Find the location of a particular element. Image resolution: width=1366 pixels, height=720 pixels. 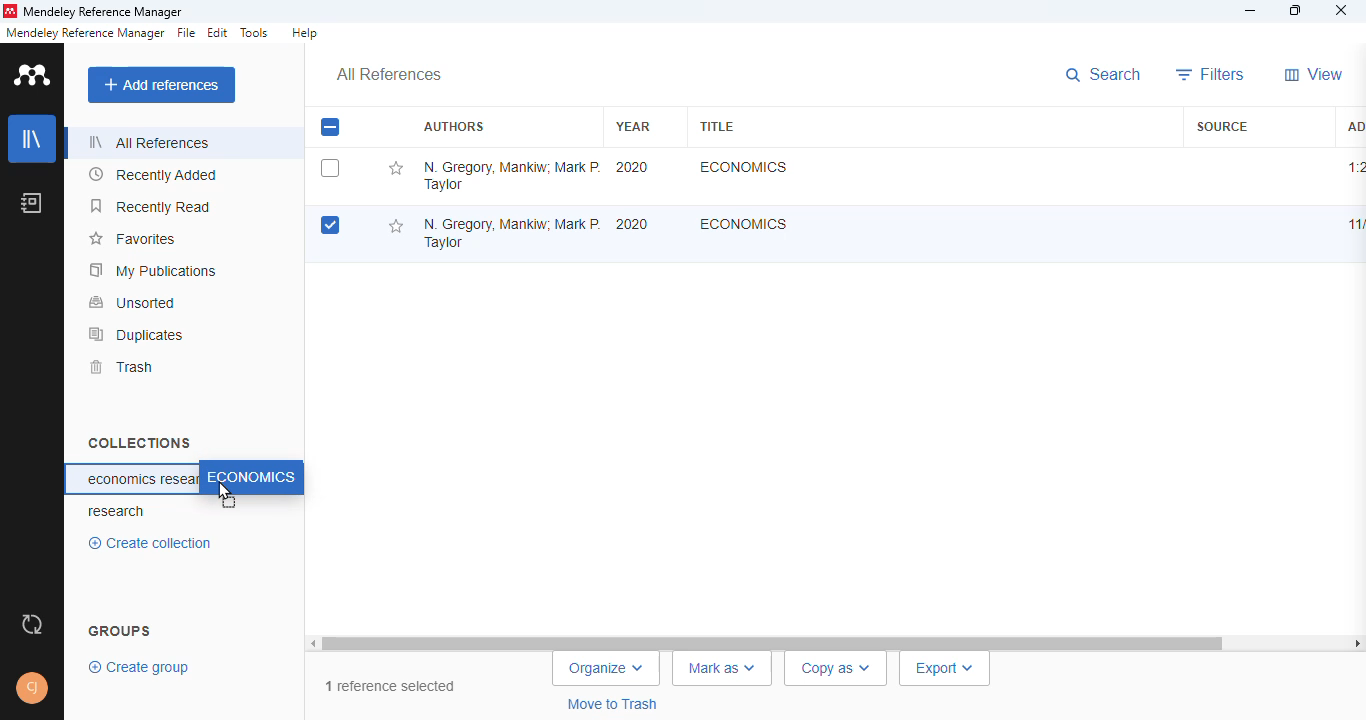

authors is located at coordinates (453, 127).